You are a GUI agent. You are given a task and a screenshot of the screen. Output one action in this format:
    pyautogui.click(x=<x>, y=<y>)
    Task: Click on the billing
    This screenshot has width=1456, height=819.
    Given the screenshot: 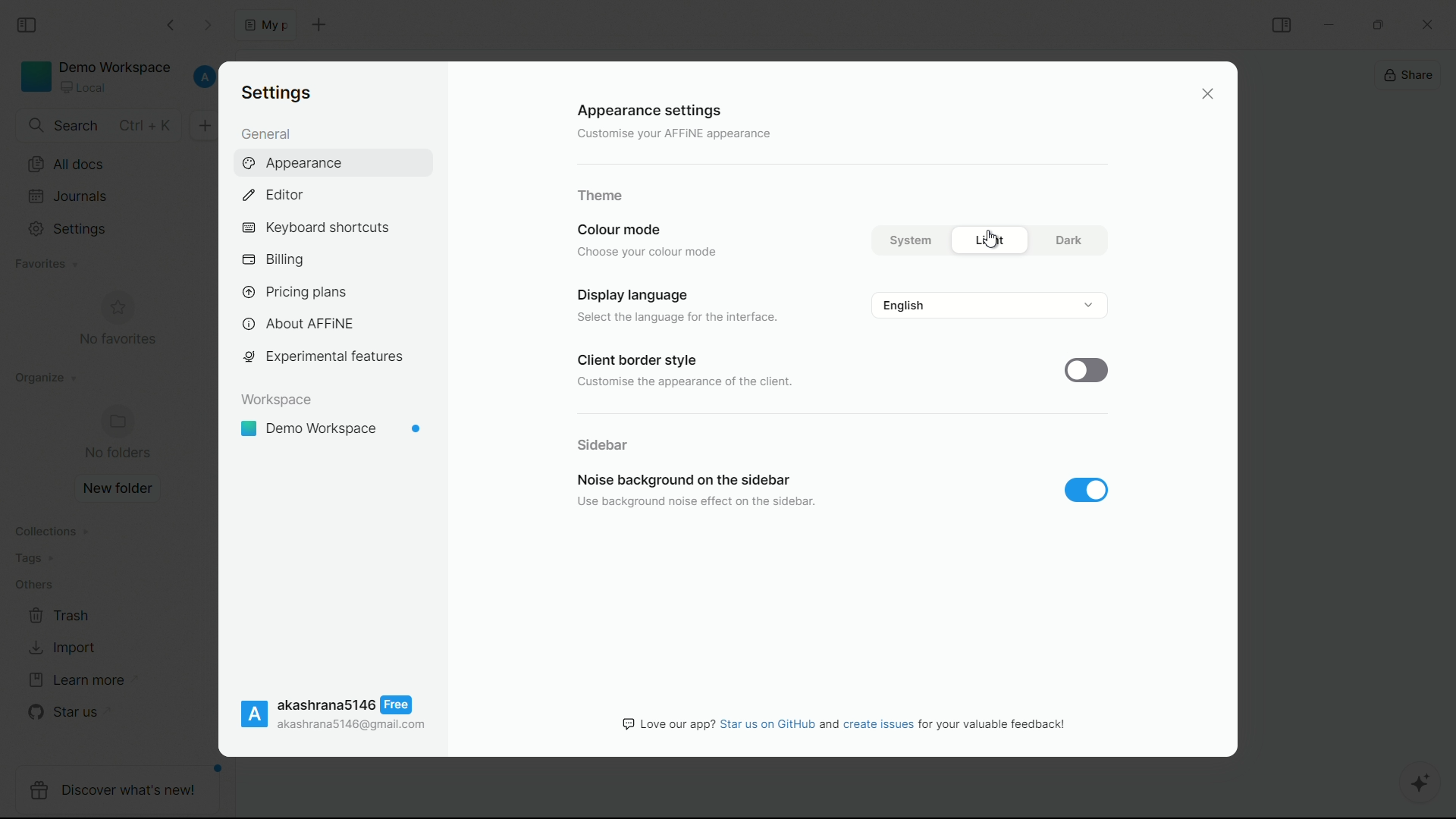 What is the action you would take?
    pyautogui.click(x=275, y=260)
    